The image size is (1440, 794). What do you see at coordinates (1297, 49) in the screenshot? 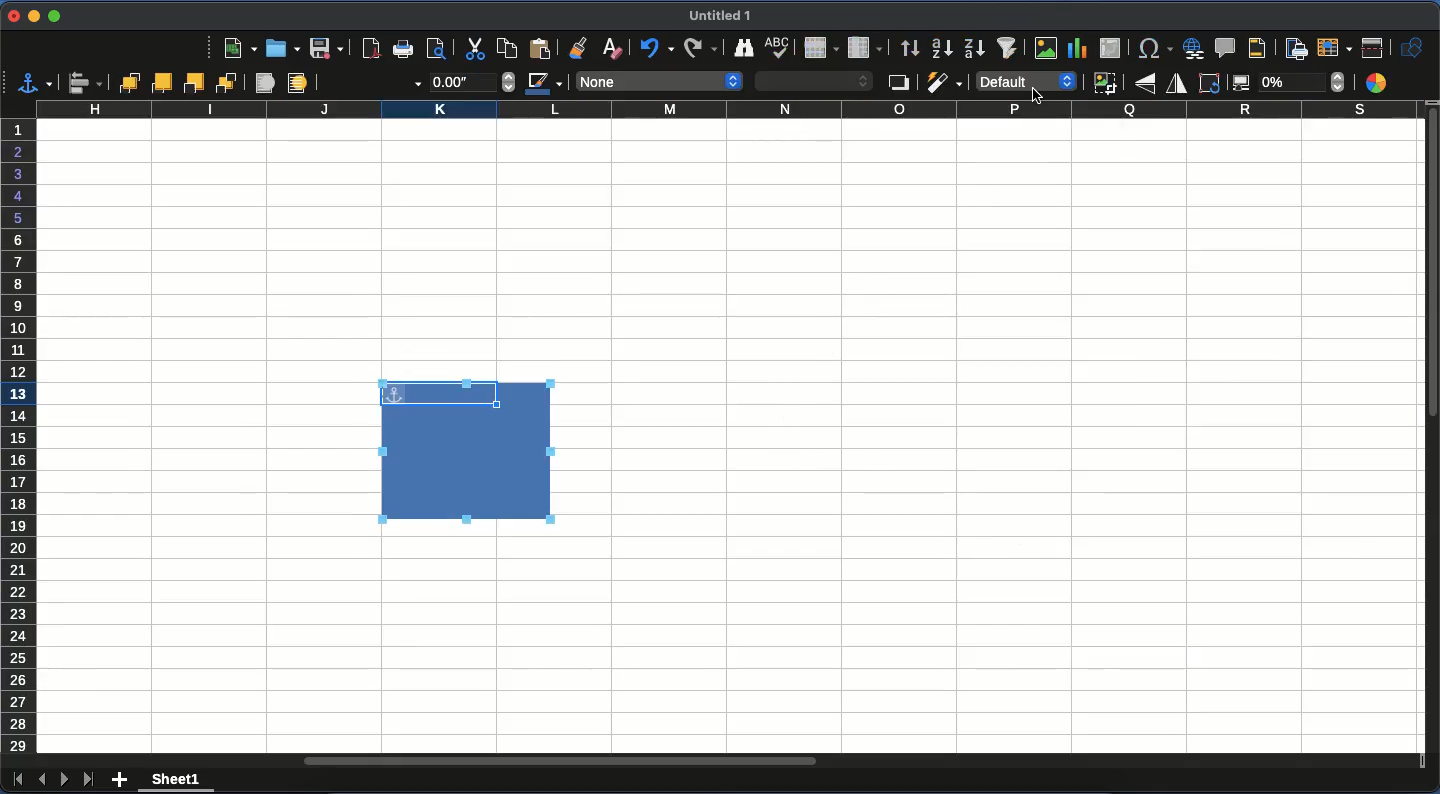
I see `define print area` at bounding box center [1297, 49].